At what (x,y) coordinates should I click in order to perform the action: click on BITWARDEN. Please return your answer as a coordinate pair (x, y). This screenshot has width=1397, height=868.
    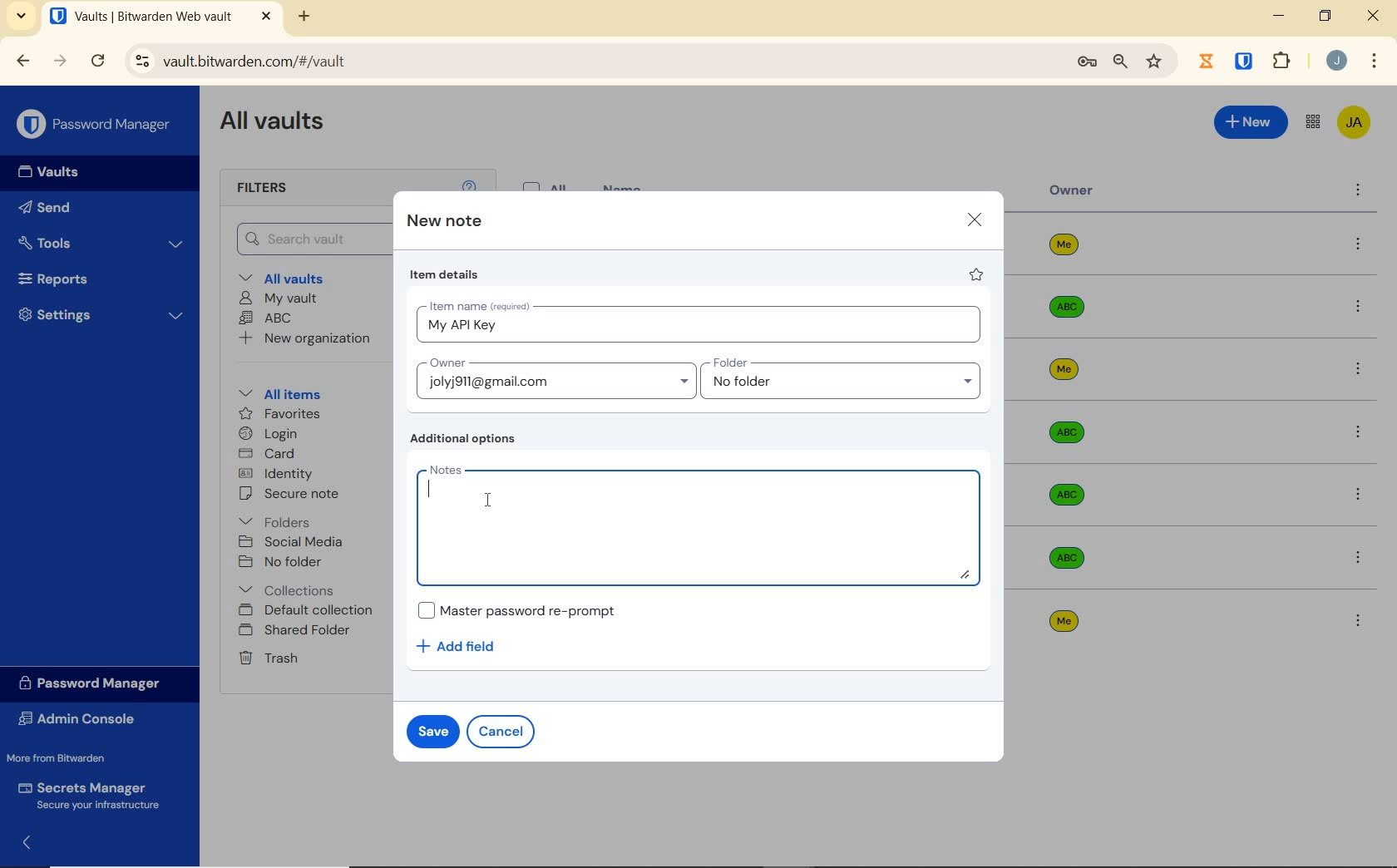
    Looking at the image, I should click on (1245, 62).